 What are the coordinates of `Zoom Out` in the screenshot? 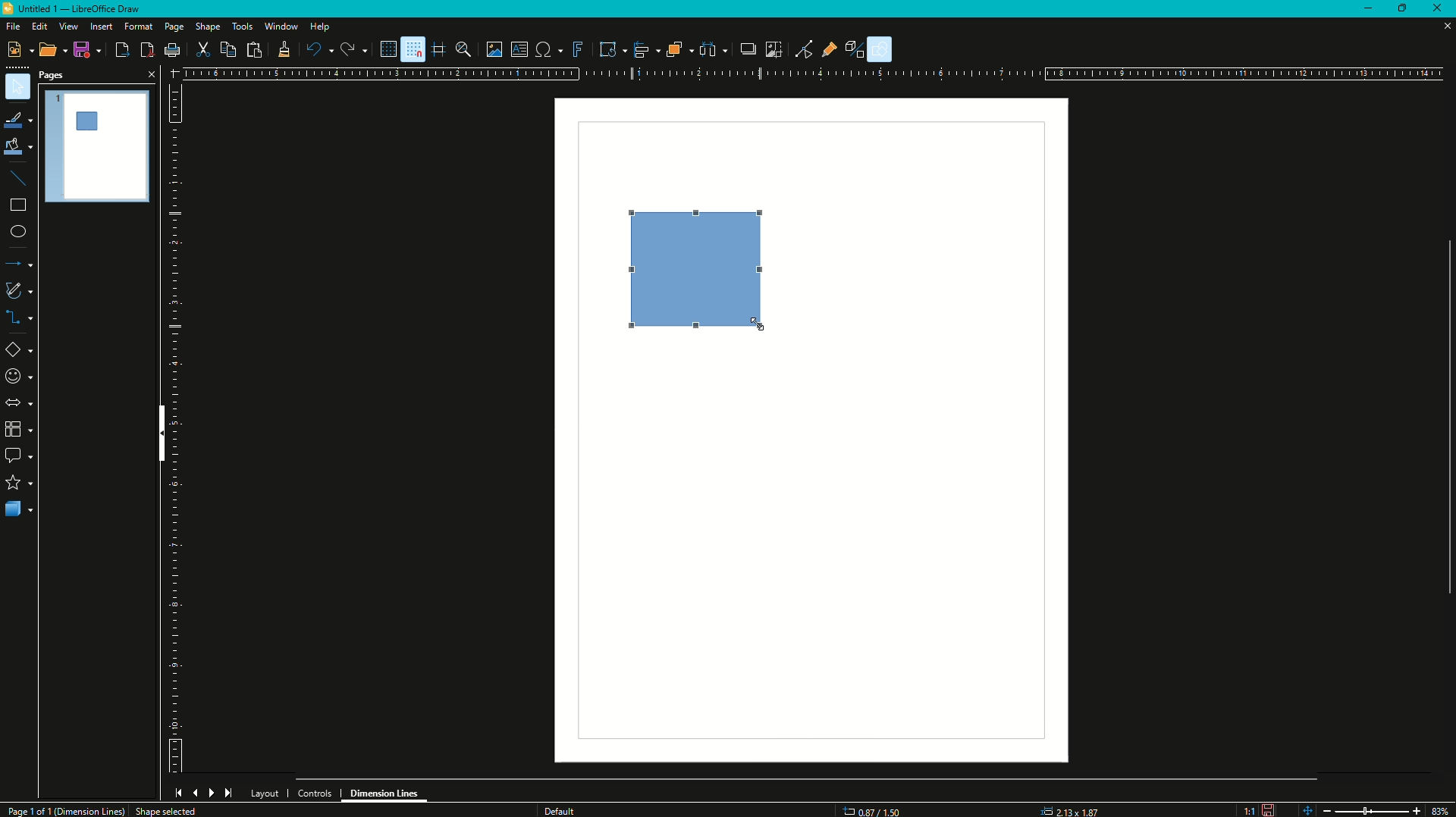 It's located at (1324, 809).